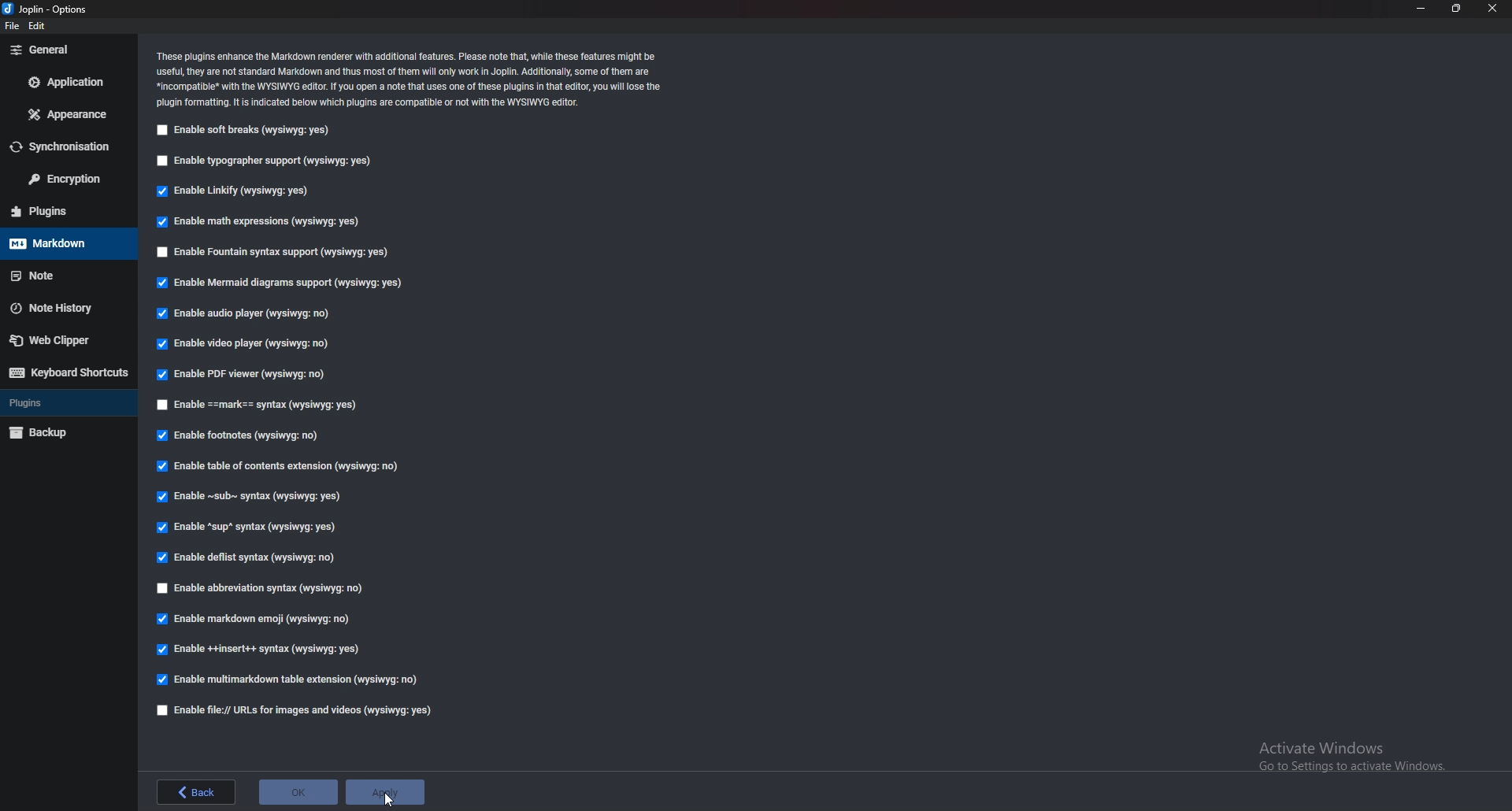  Describe the element at coordinates (280, 283) in the screenshot. I see `enable mermaid diagrams support` at that location.